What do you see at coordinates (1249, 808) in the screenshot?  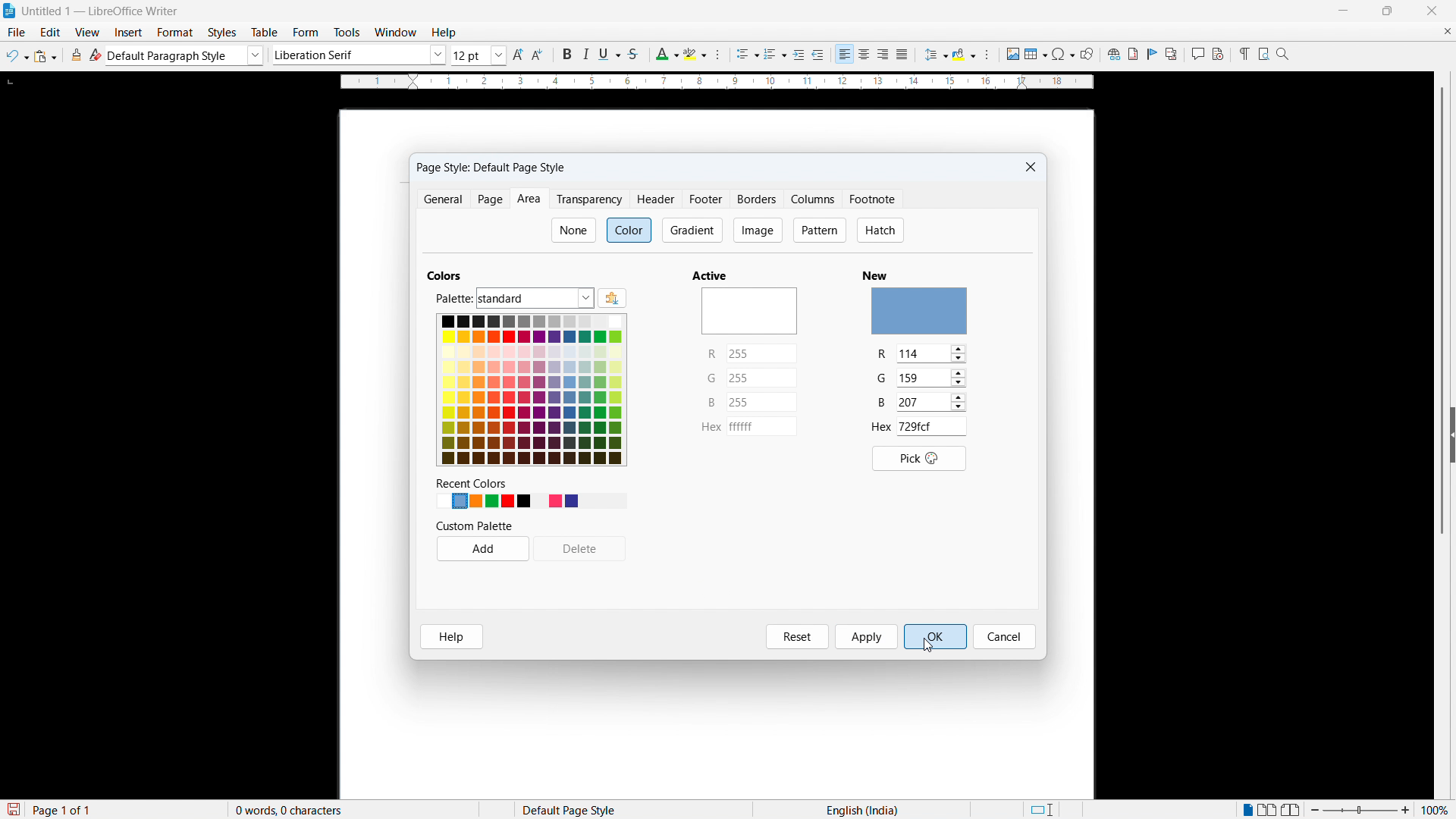 I see `Single page view ` at bounding box center [1249, 808].